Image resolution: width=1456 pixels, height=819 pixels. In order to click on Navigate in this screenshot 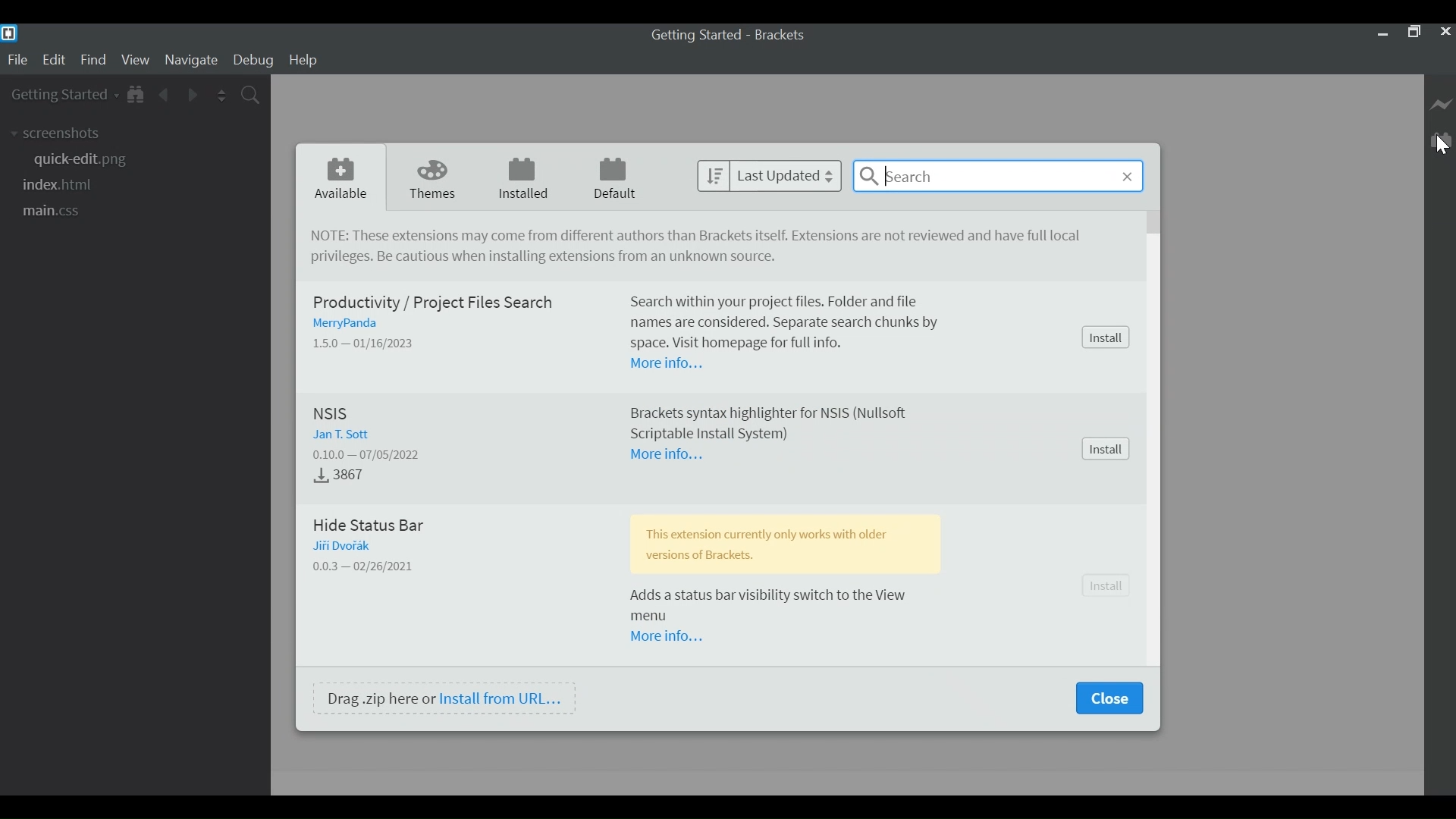, I will do `click(193, 61)`.